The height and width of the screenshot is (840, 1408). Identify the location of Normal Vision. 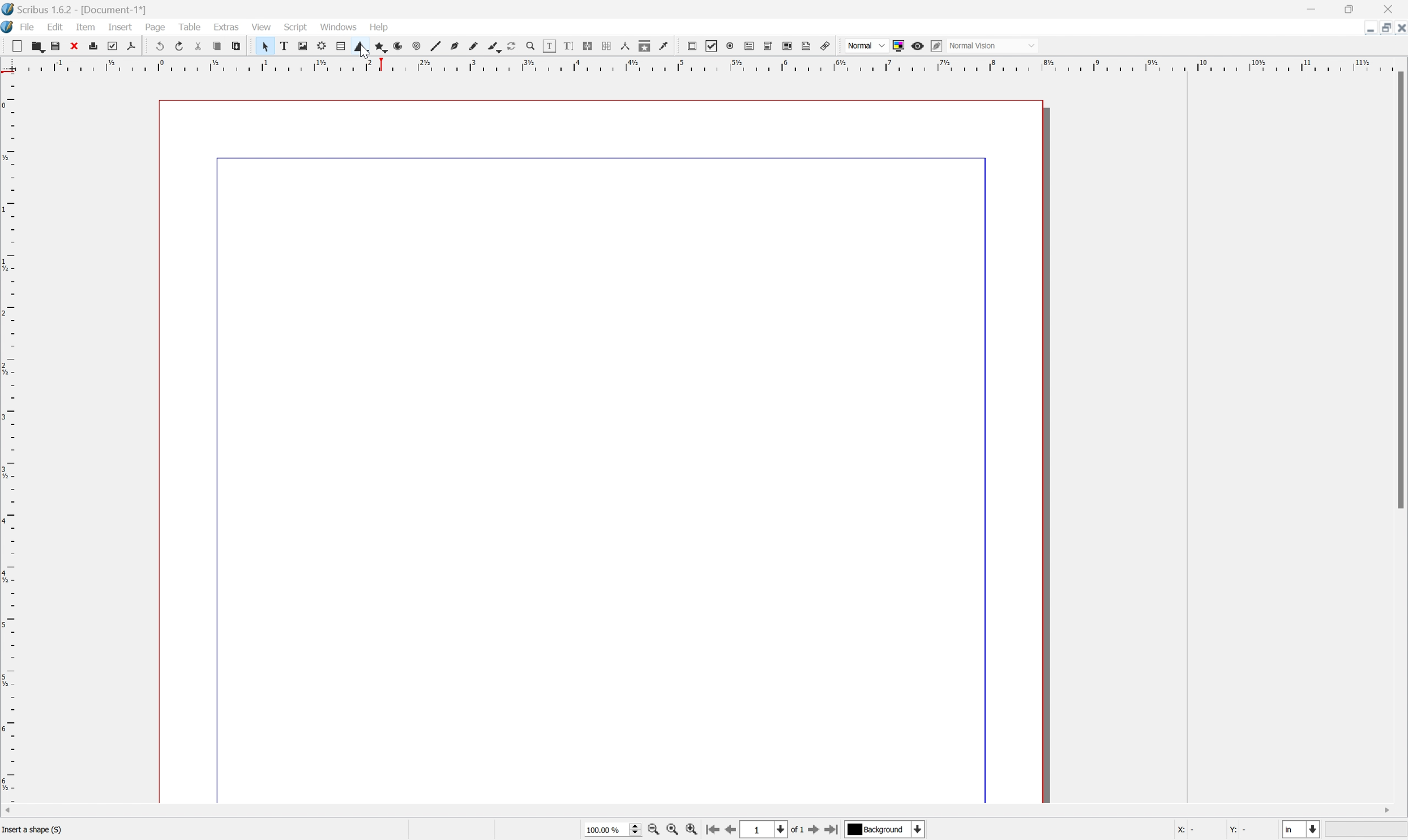
(991, 45).